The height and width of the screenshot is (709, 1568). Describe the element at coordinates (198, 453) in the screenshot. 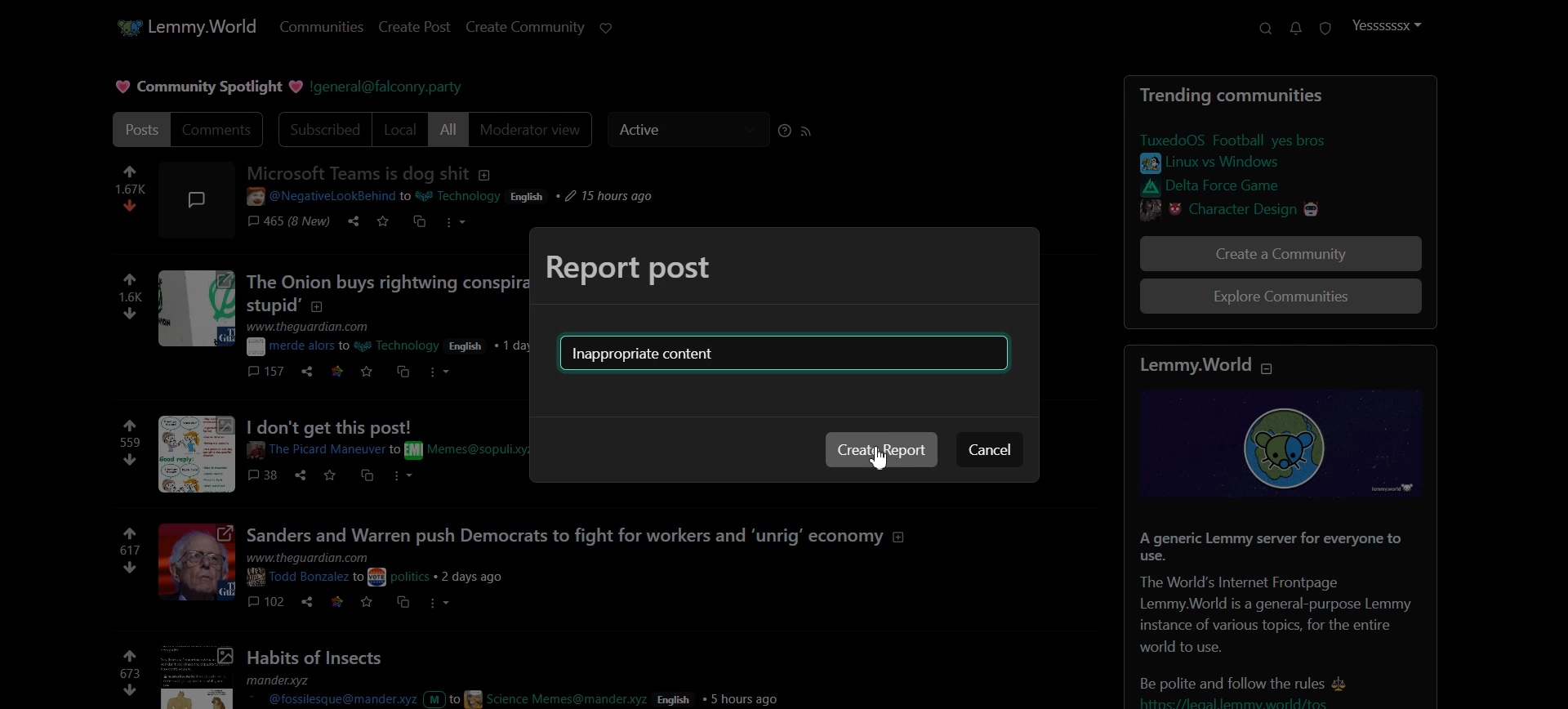

I see `image` at that location.